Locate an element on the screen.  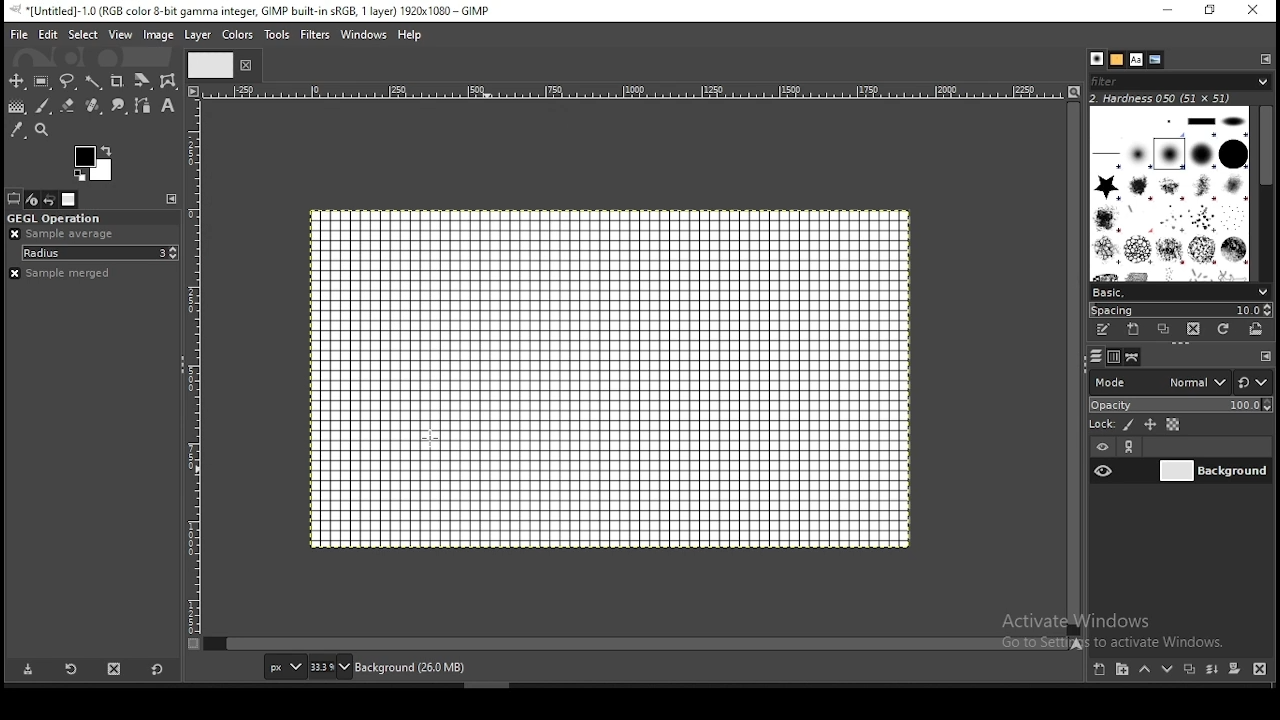
layer visibility on/off is located at coordinates (1104, 470).